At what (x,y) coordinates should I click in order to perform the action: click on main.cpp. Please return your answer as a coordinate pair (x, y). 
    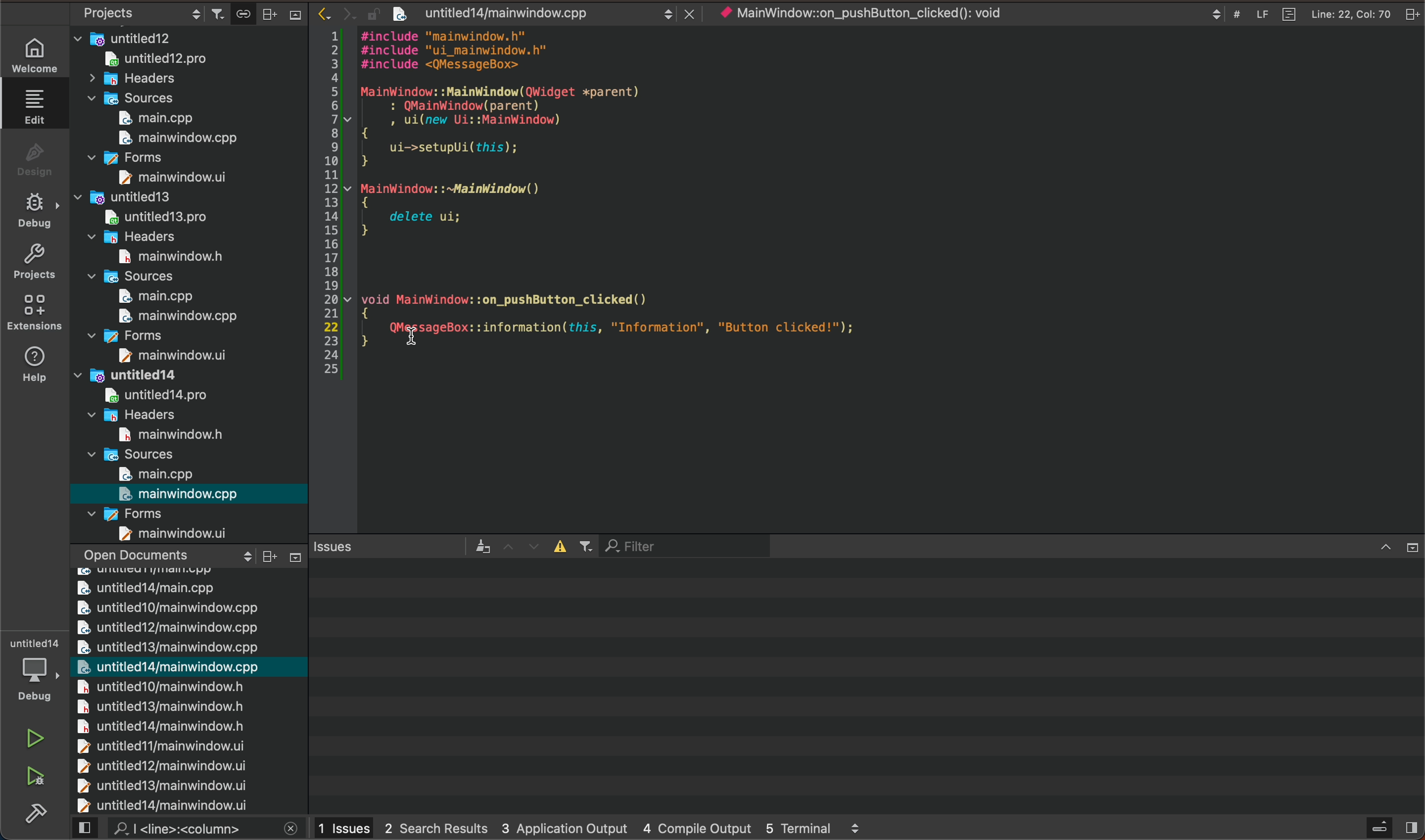
    Looking at the image, I should click on (153, 118).